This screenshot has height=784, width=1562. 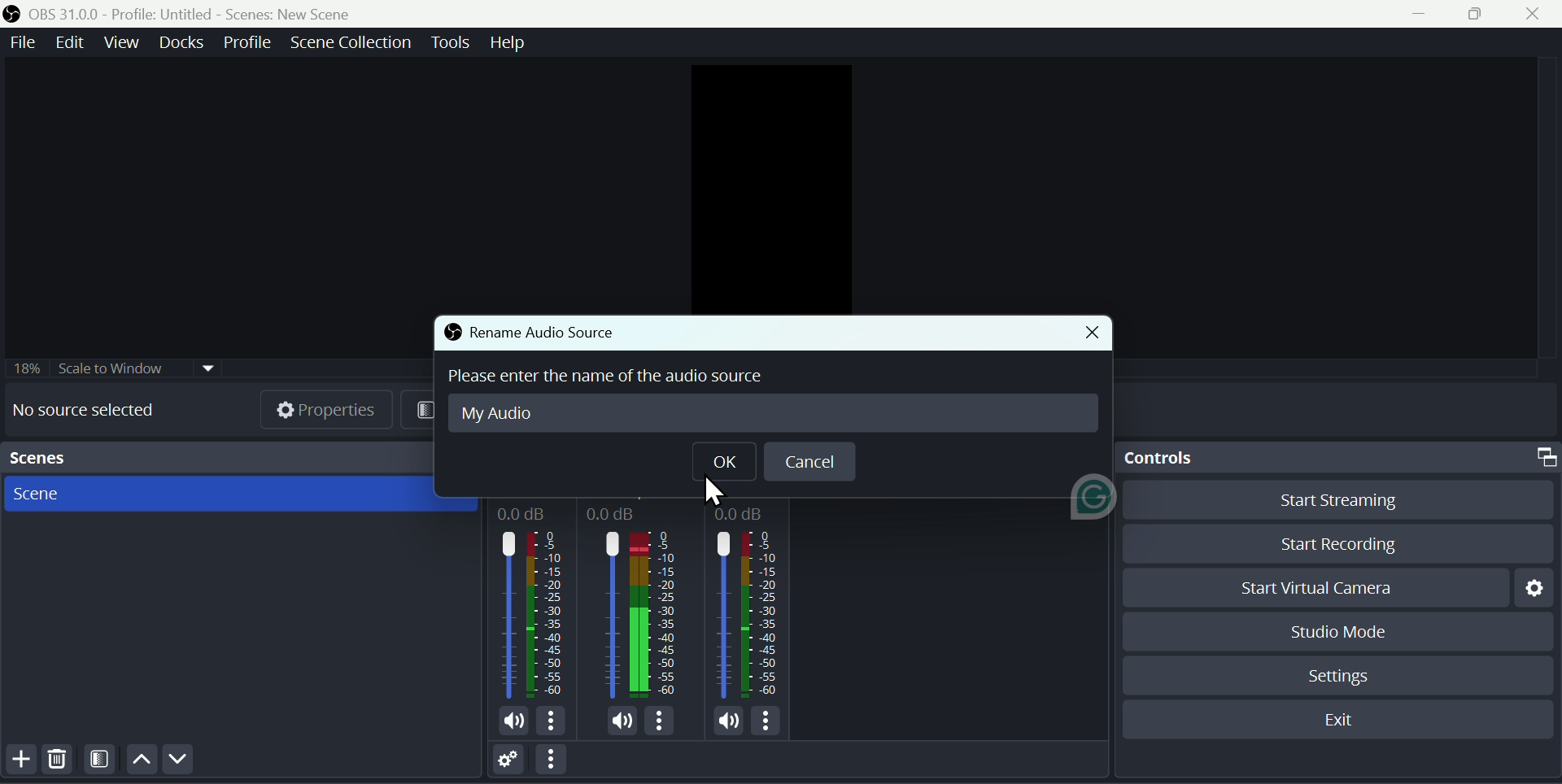 I want to click on Profile, so click(x=249, y=43).